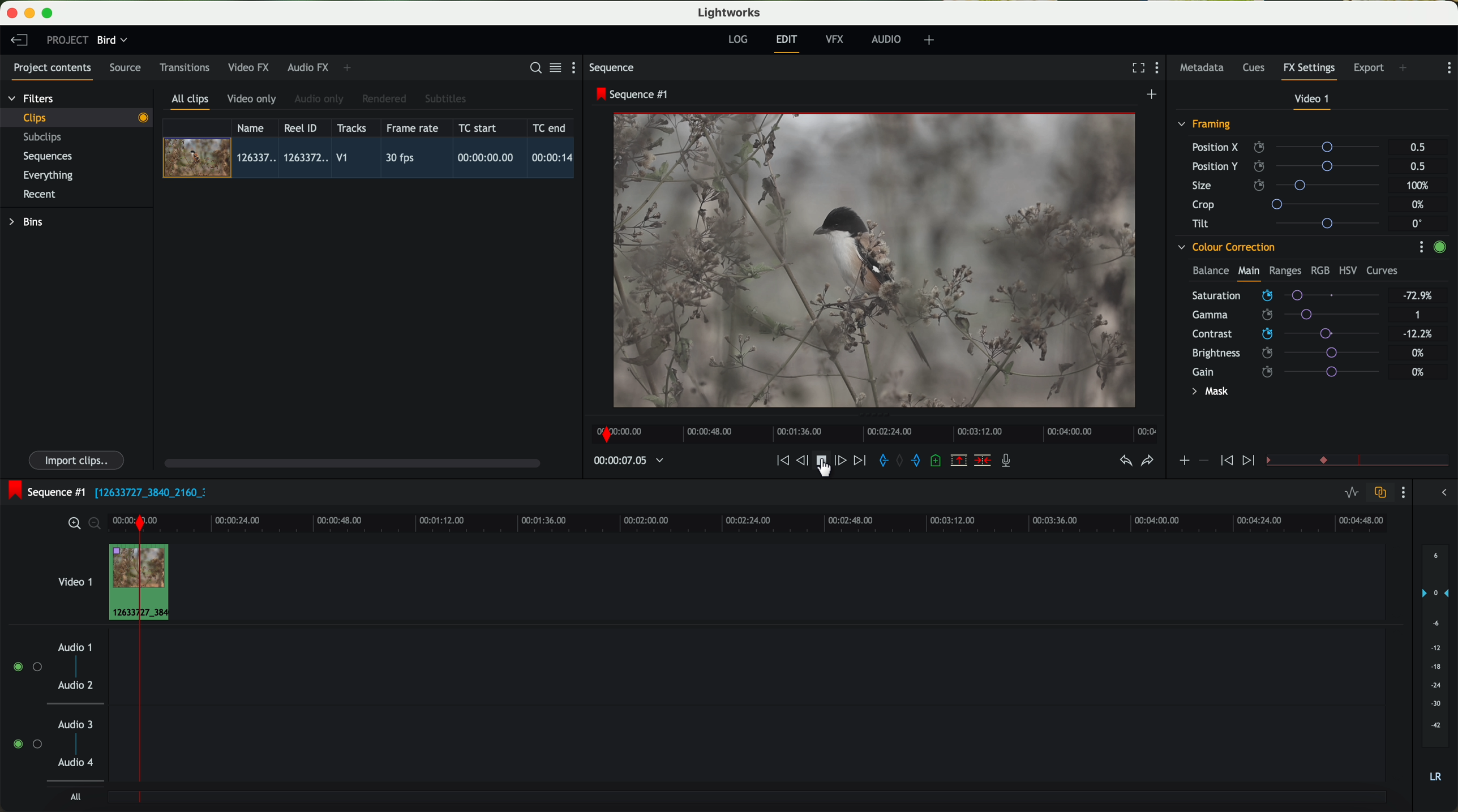  What do you see at coordinates (1208, 393) in the screenshot?
I see `mask` at bounding box center [1208, 393].